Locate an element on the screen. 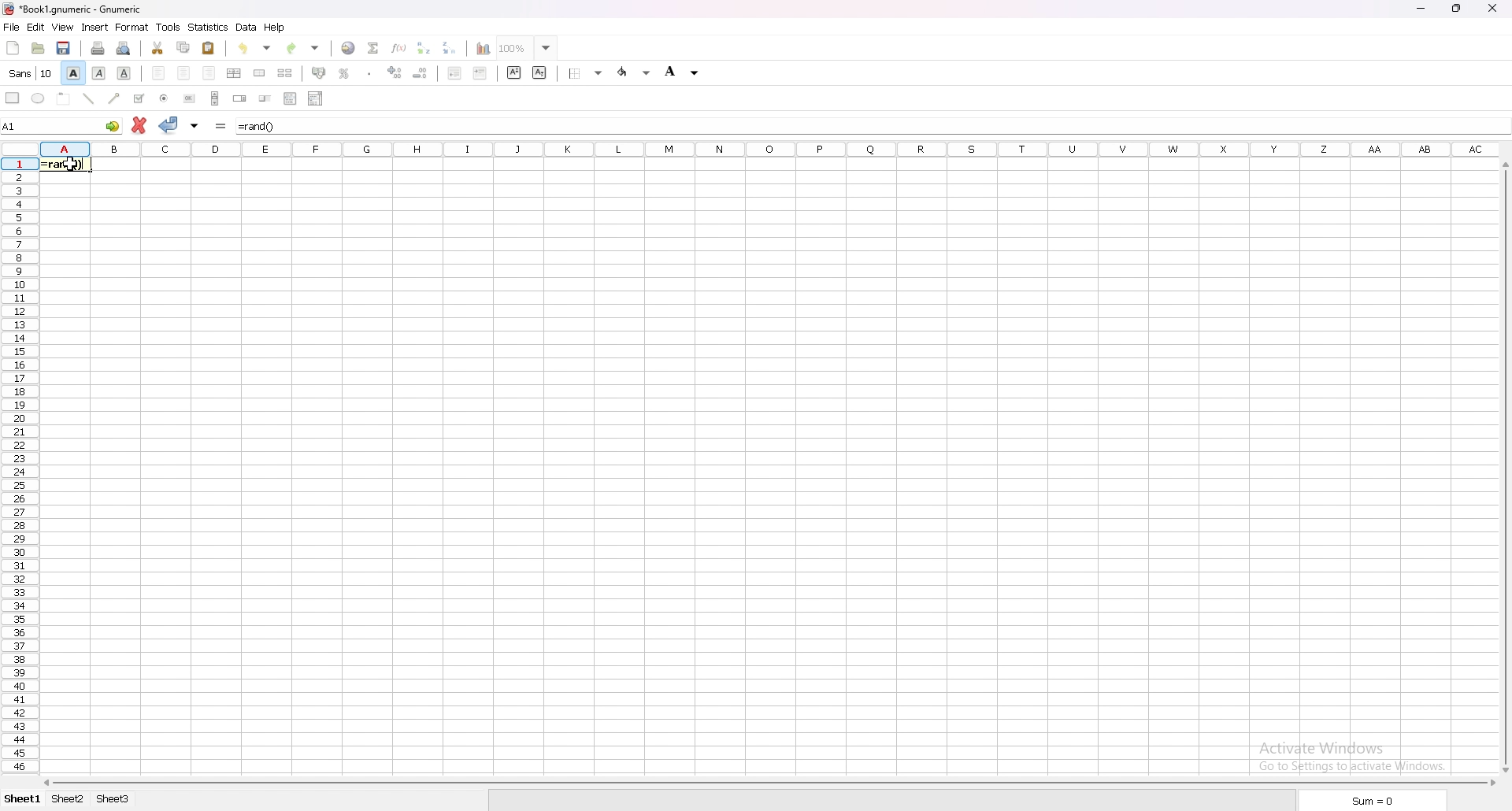 Image resolution: width=1512 pixels, height=811 pixels. split merged cells is located at coordinates (285, 73).